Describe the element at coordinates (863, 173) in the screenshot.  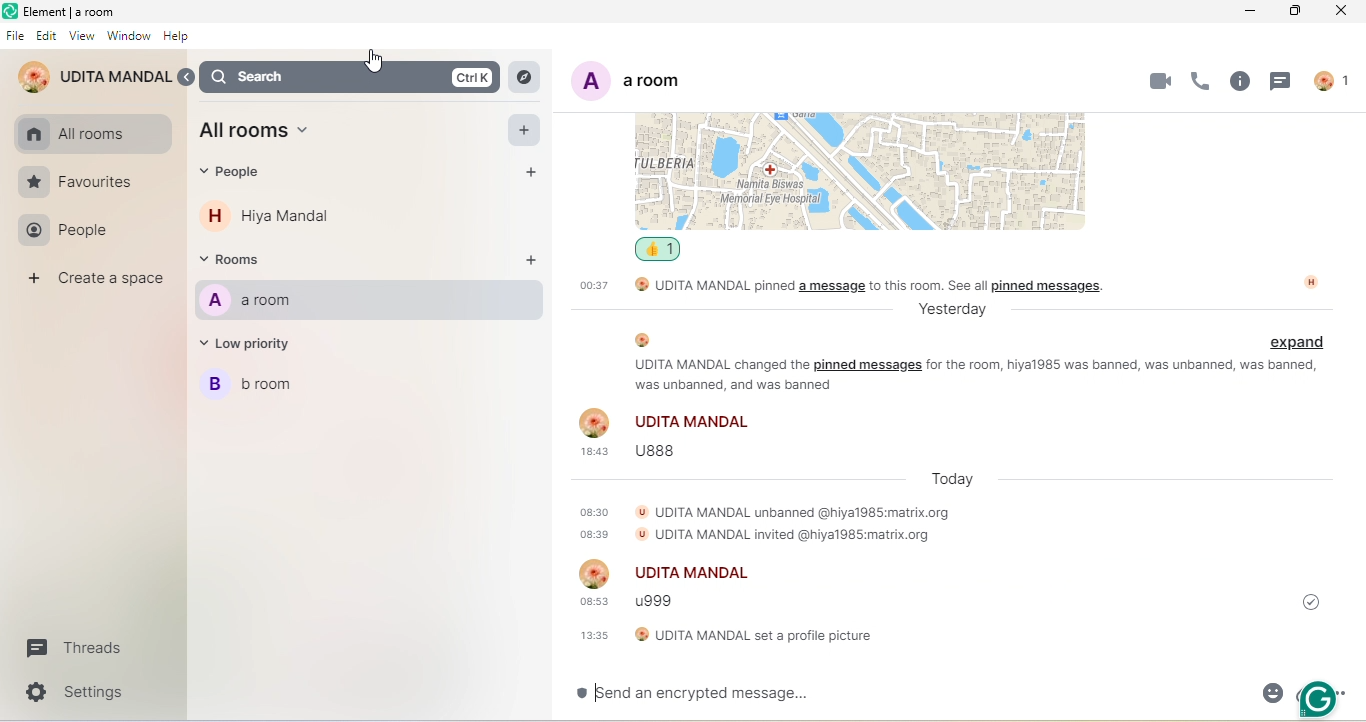
I see `Location` at that location.